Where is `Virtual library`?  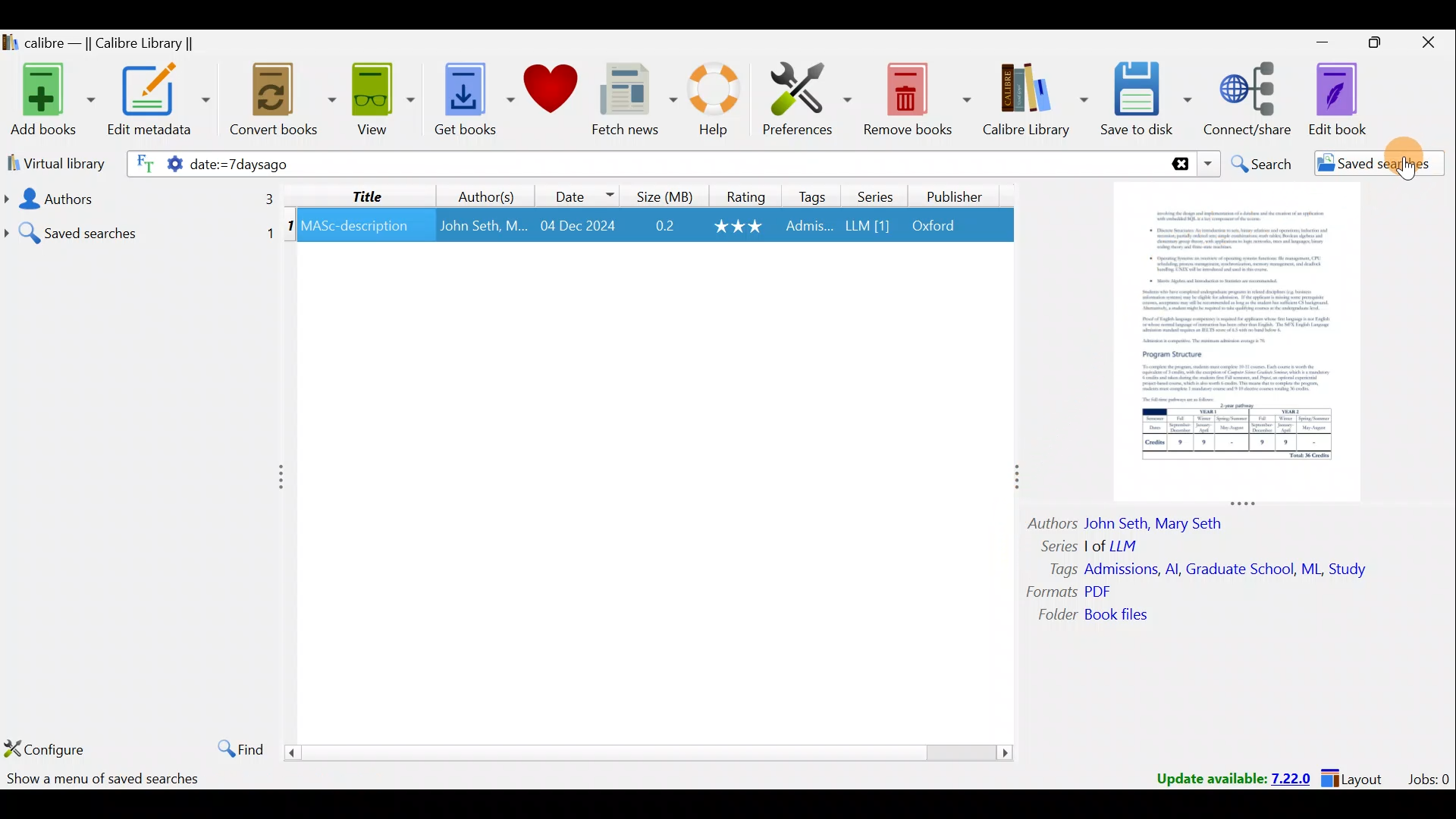 Virtual library is located at coordinates (52, 162).